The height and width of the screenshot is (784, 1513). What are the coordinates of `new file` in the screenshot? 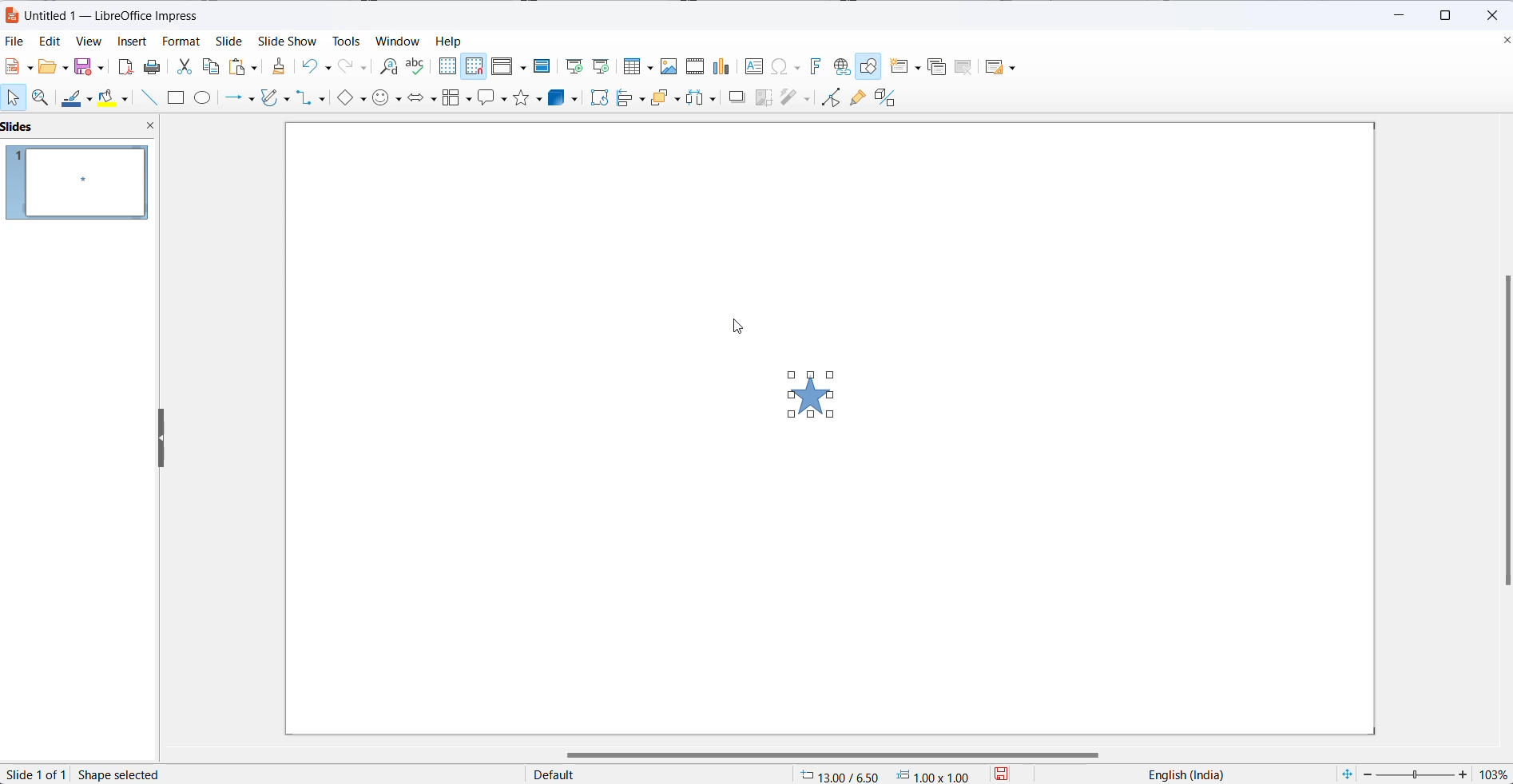 It's located at (22, 66).